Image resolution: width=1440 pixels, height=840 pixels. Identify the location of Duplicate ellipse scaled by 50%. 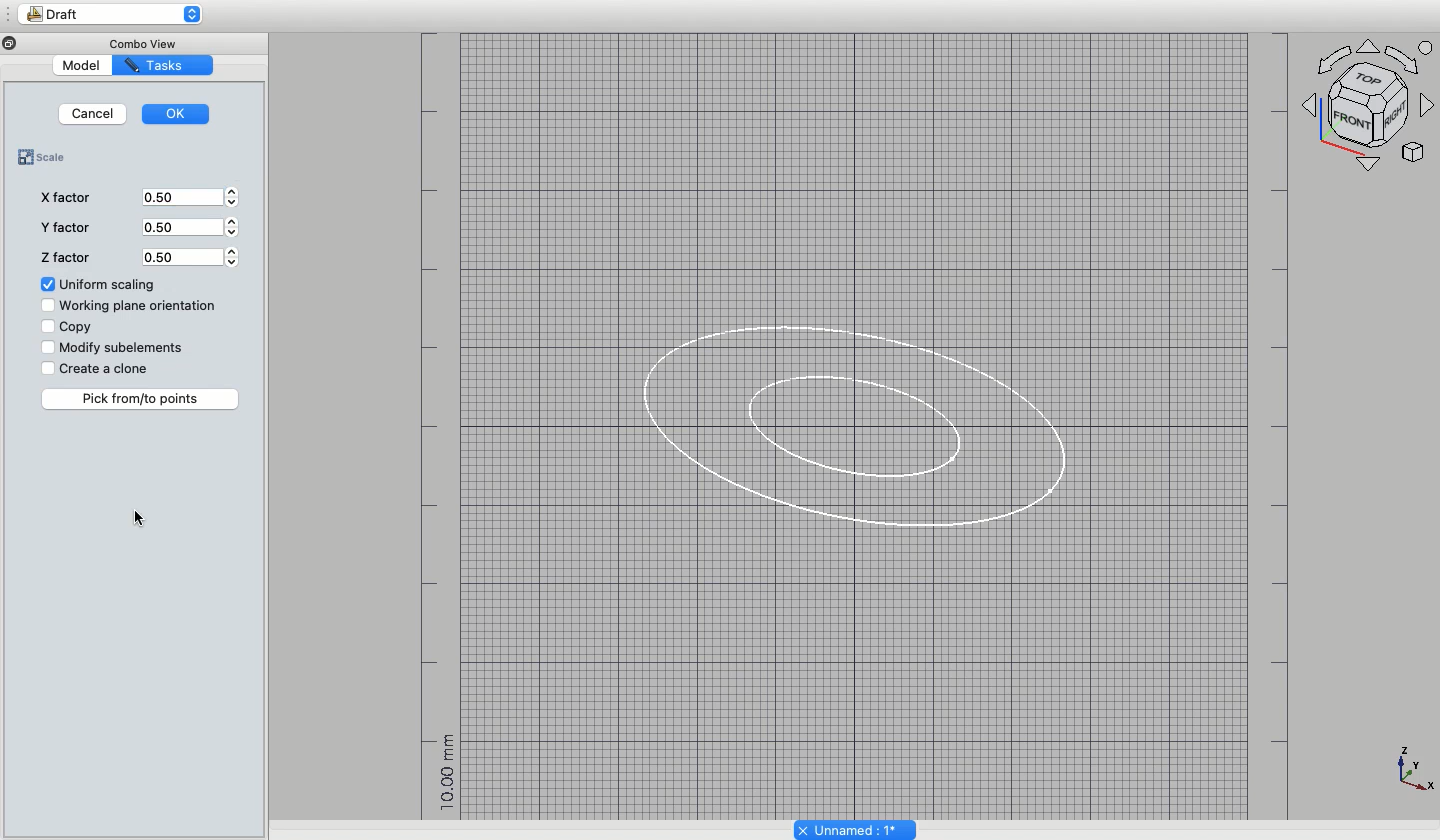
(875, 427).